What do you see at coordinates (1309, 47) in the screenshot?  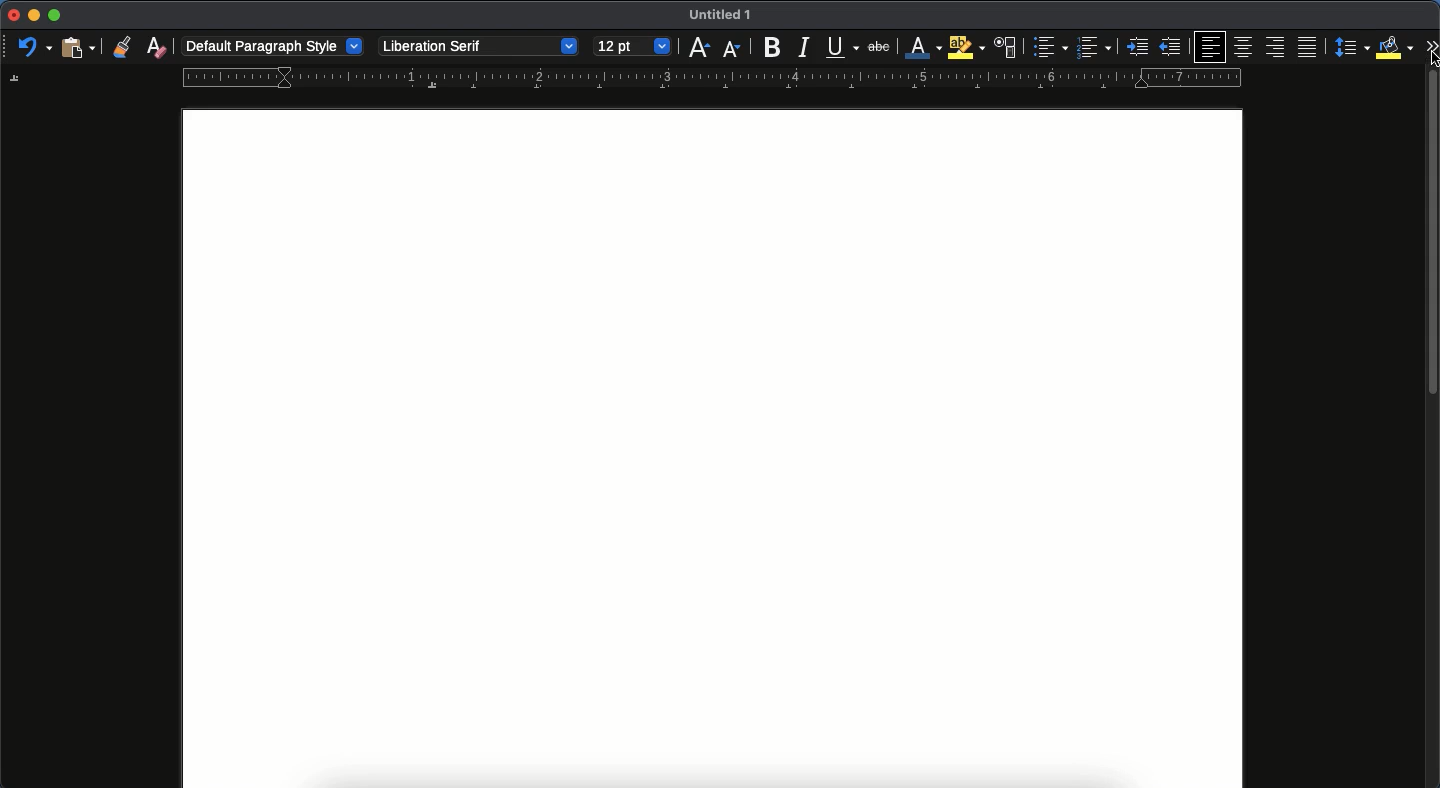 I see `justify` at bounding box center [1309, 47].